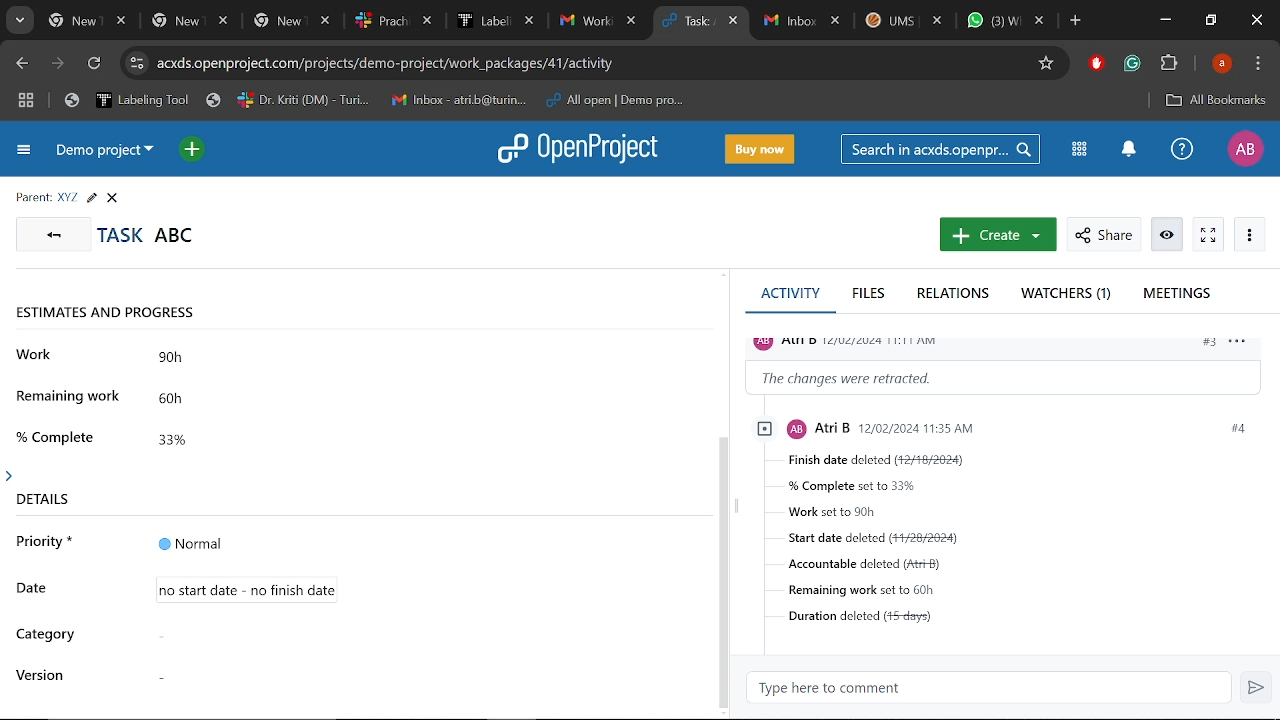 The height and width of the screenshot is (720, 1280). What do you see at coordinates (28, 100) in the screenshot?
I see `Tab groups` at bounding box center [28, 100].